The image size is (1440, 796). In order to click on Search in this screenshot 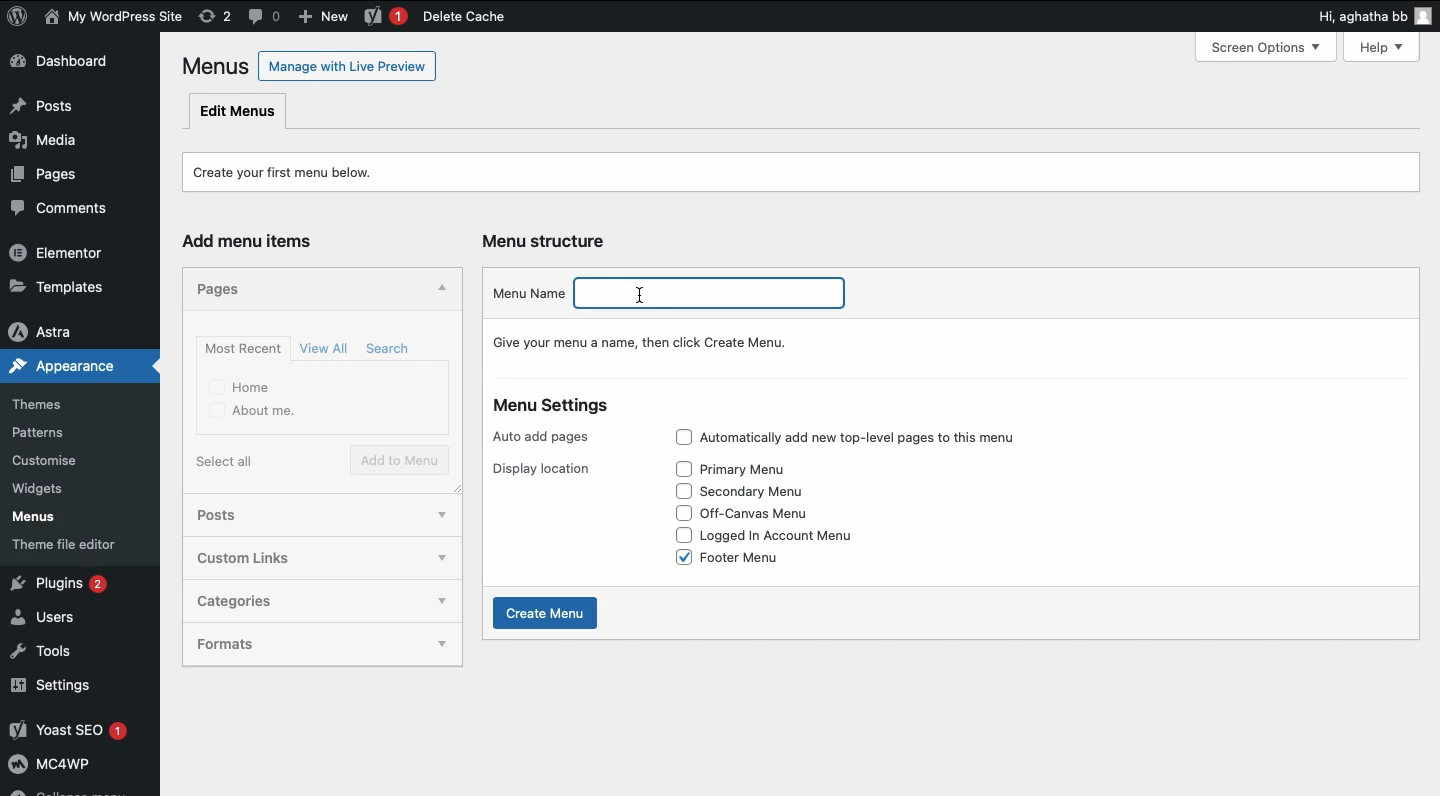, I will do `click(386, 349)`.